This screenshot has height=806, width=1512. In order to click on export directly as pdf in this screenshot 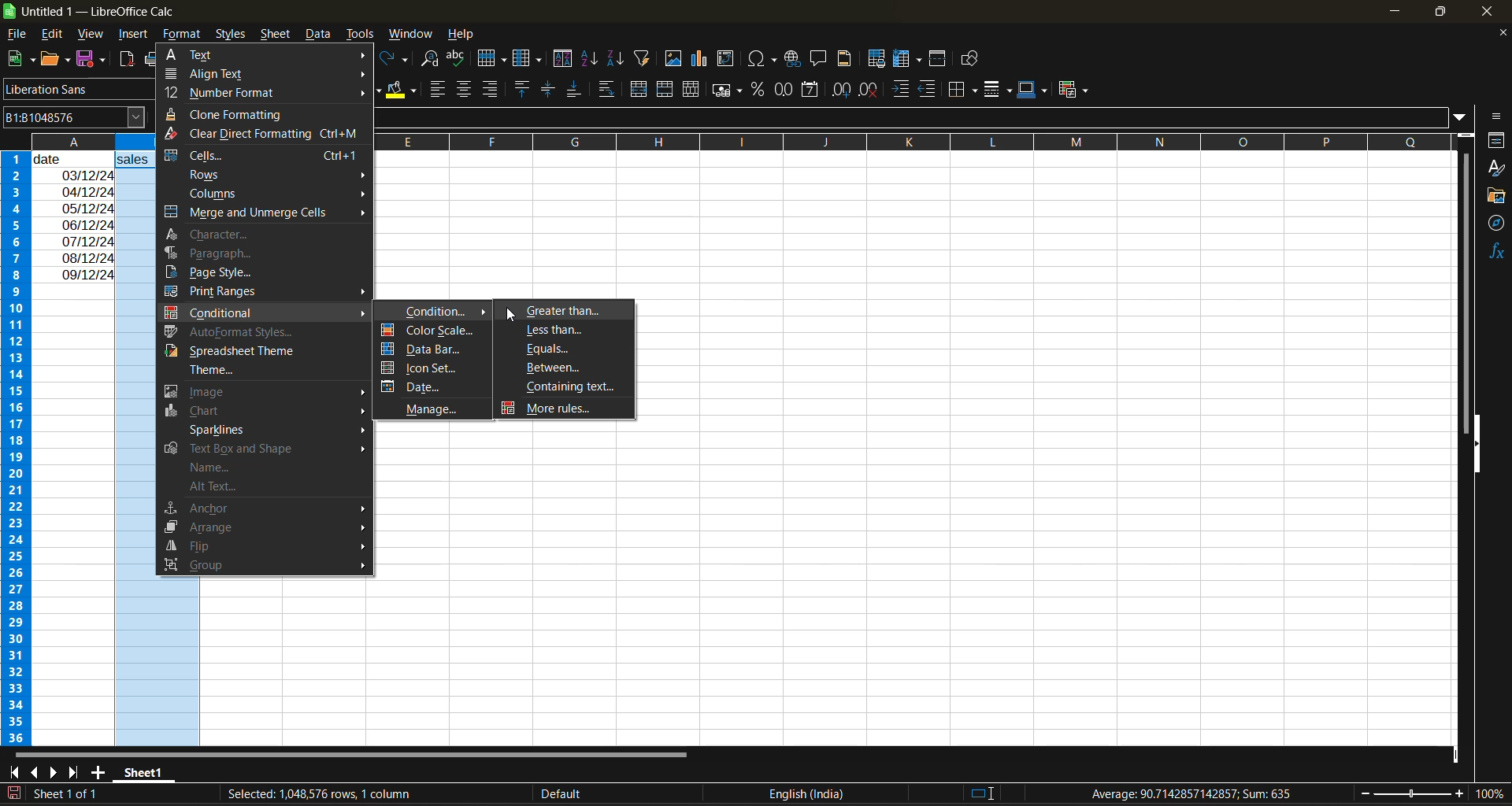, I will do `click(126, 59)`.